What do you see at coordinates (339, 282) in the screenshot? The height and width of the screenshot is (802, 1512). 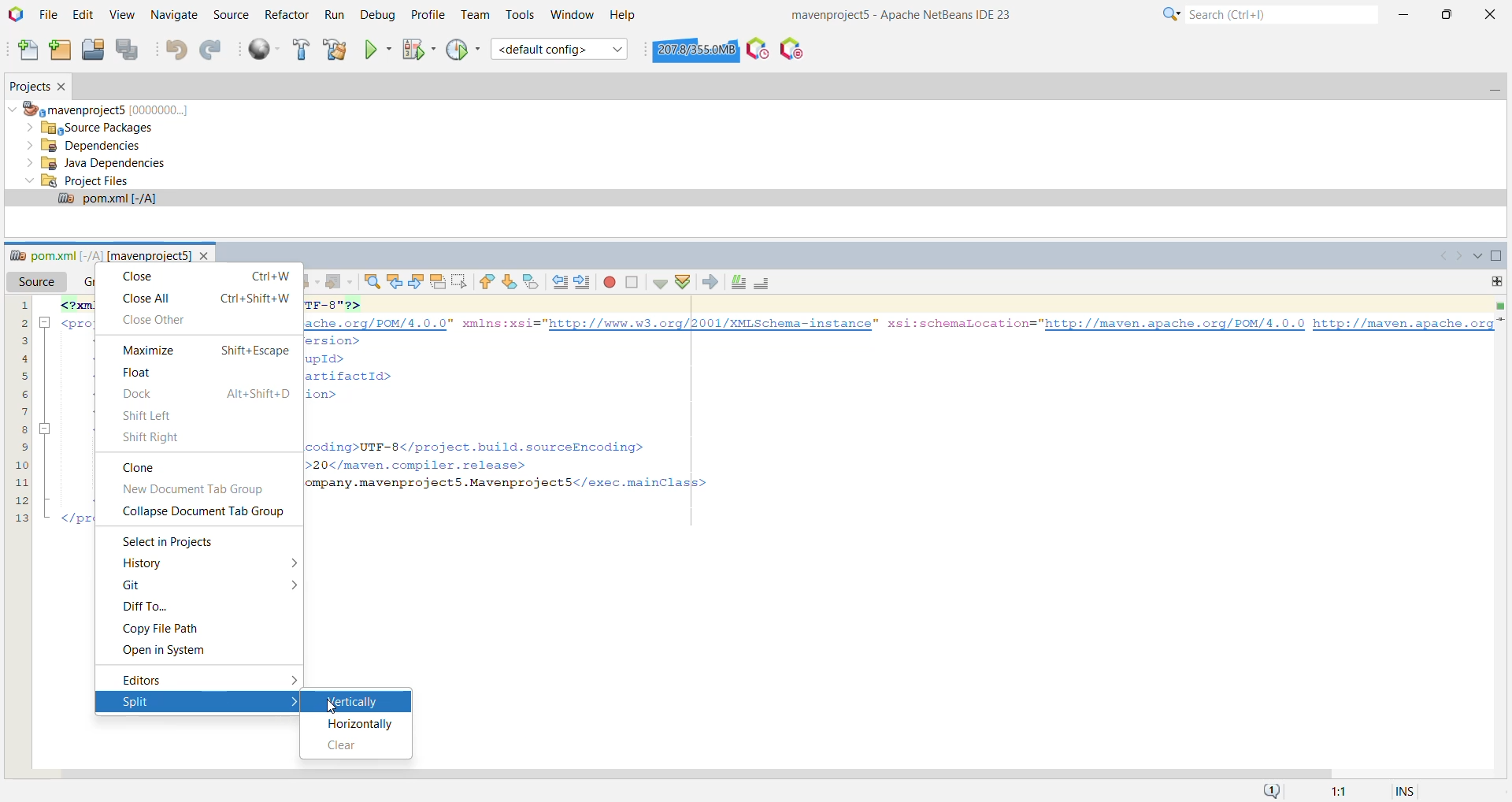 I see `Forward` at bounding box center [339, 282].